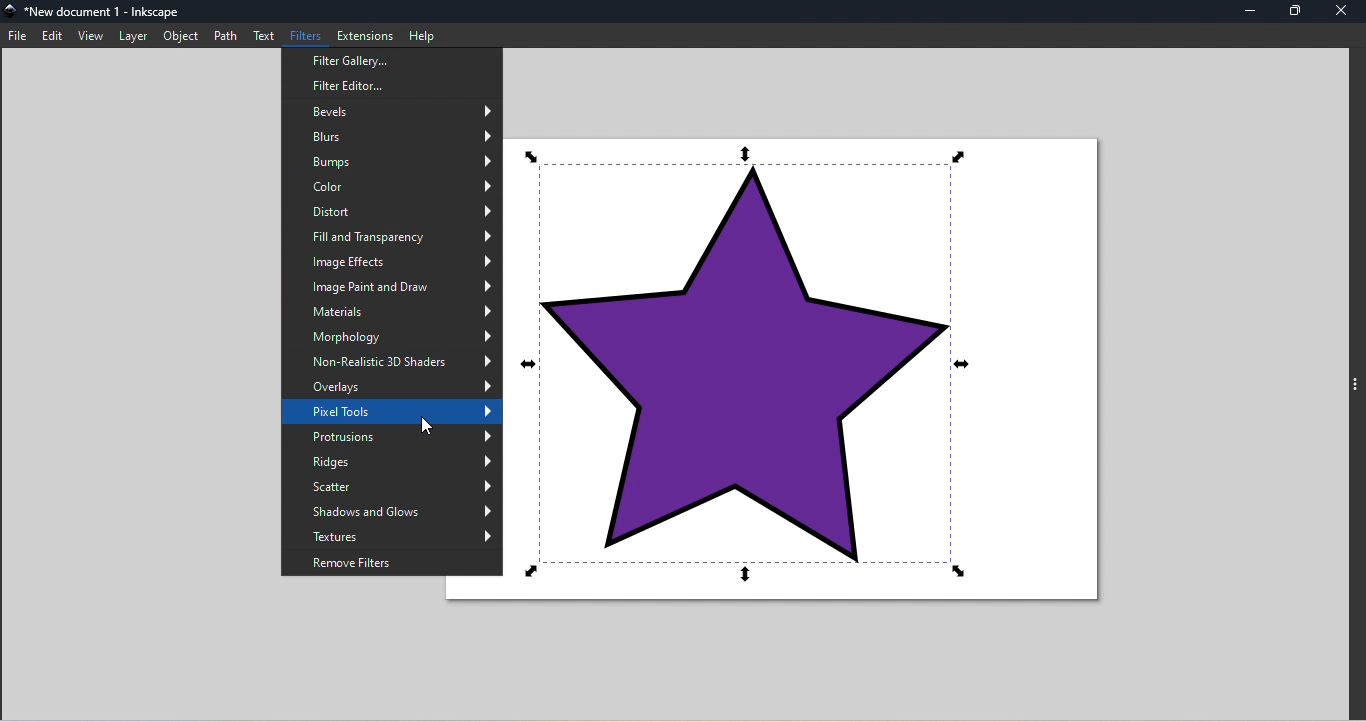  What do you see at coordinates (1297, 13) in the screenshot?
I see `Maximize` at bounding box center [1297, 13].